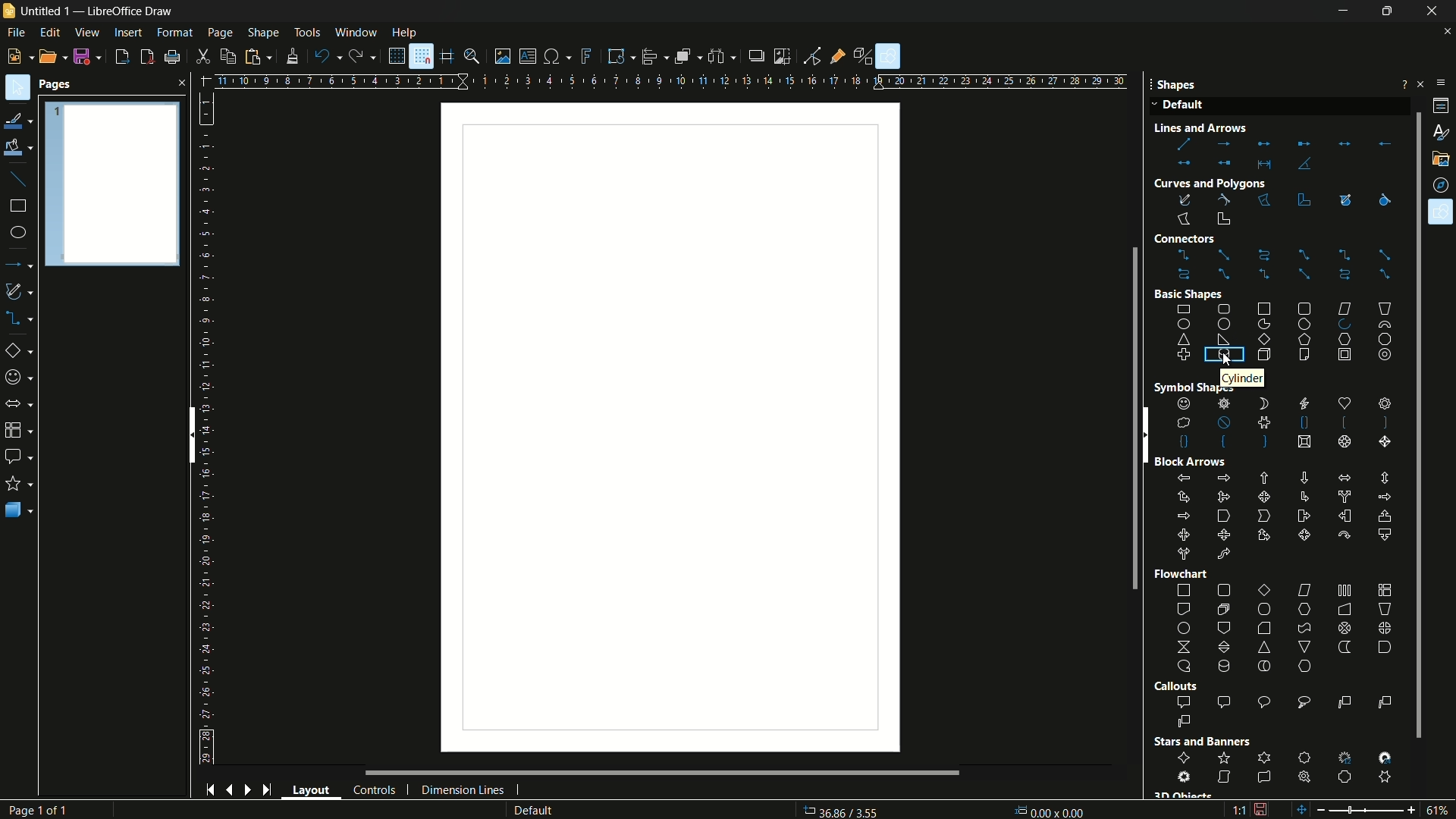 This screenshot has height=819, width=1456. Describe the element at coordinates (45, 810) in the screenshot. I see `Page 1 of 1` at that location.